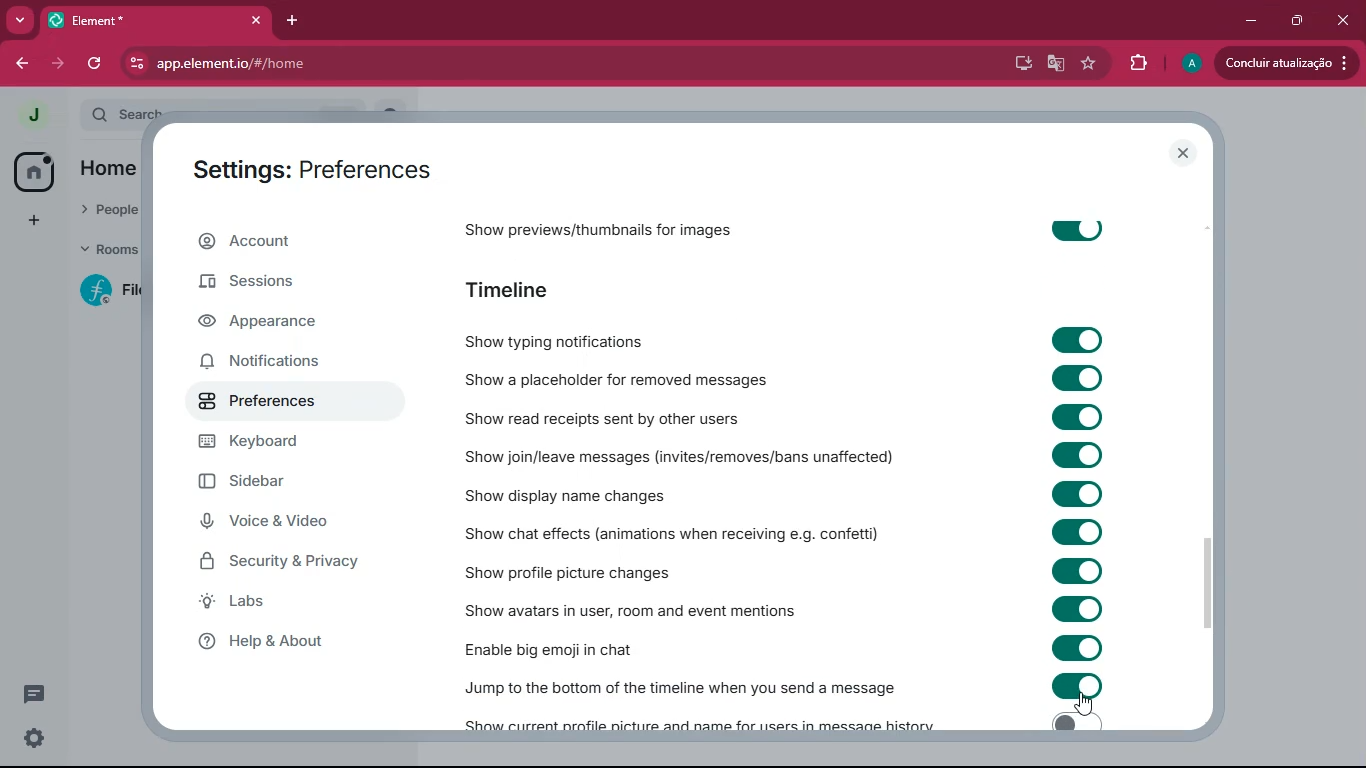  Describe the element at coordinates (293, 239) in the screenshot. I see `account` at that location.